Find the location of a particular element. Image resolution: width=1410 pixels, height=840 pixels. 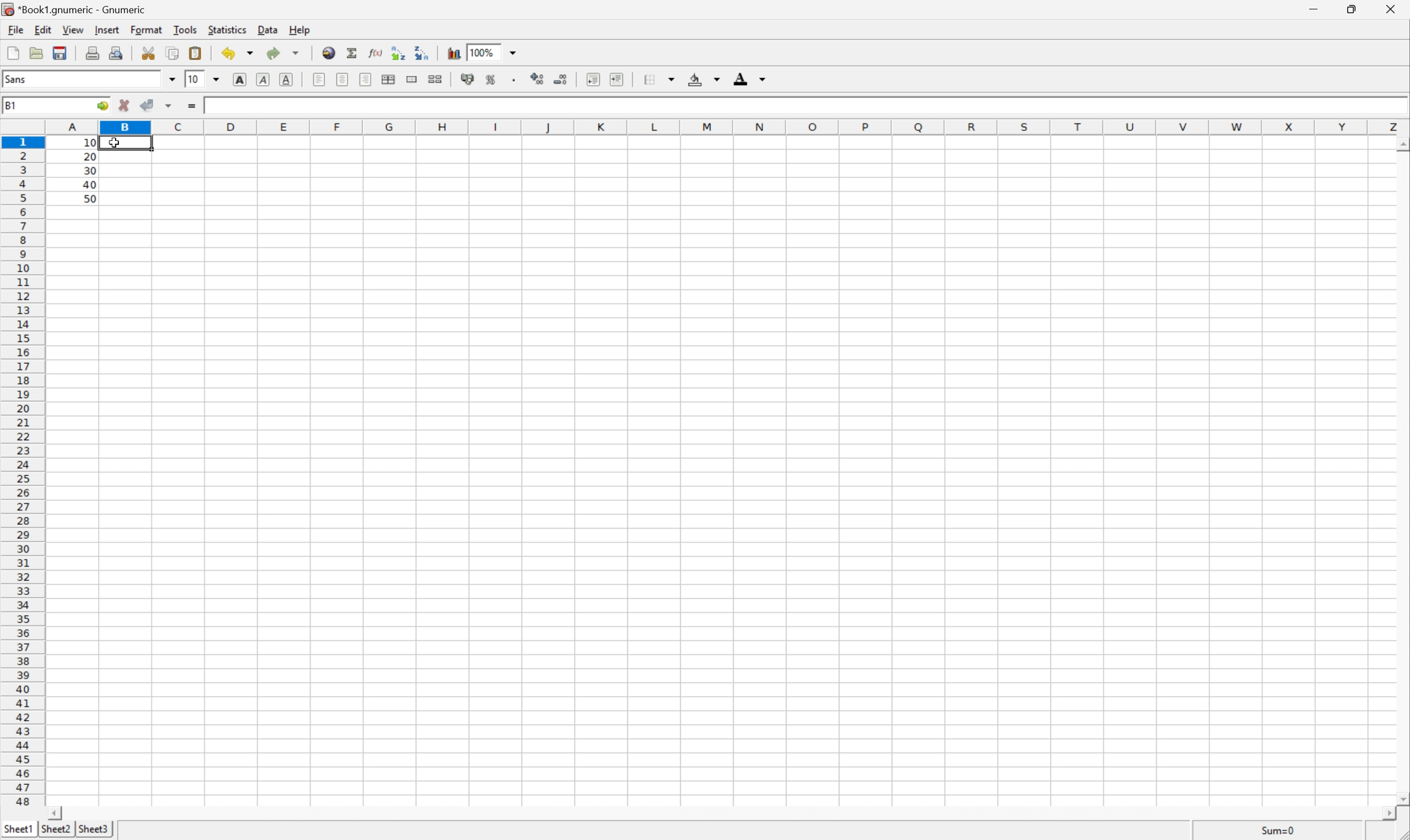

Sum=10 is located at coordinates (1277, 830).